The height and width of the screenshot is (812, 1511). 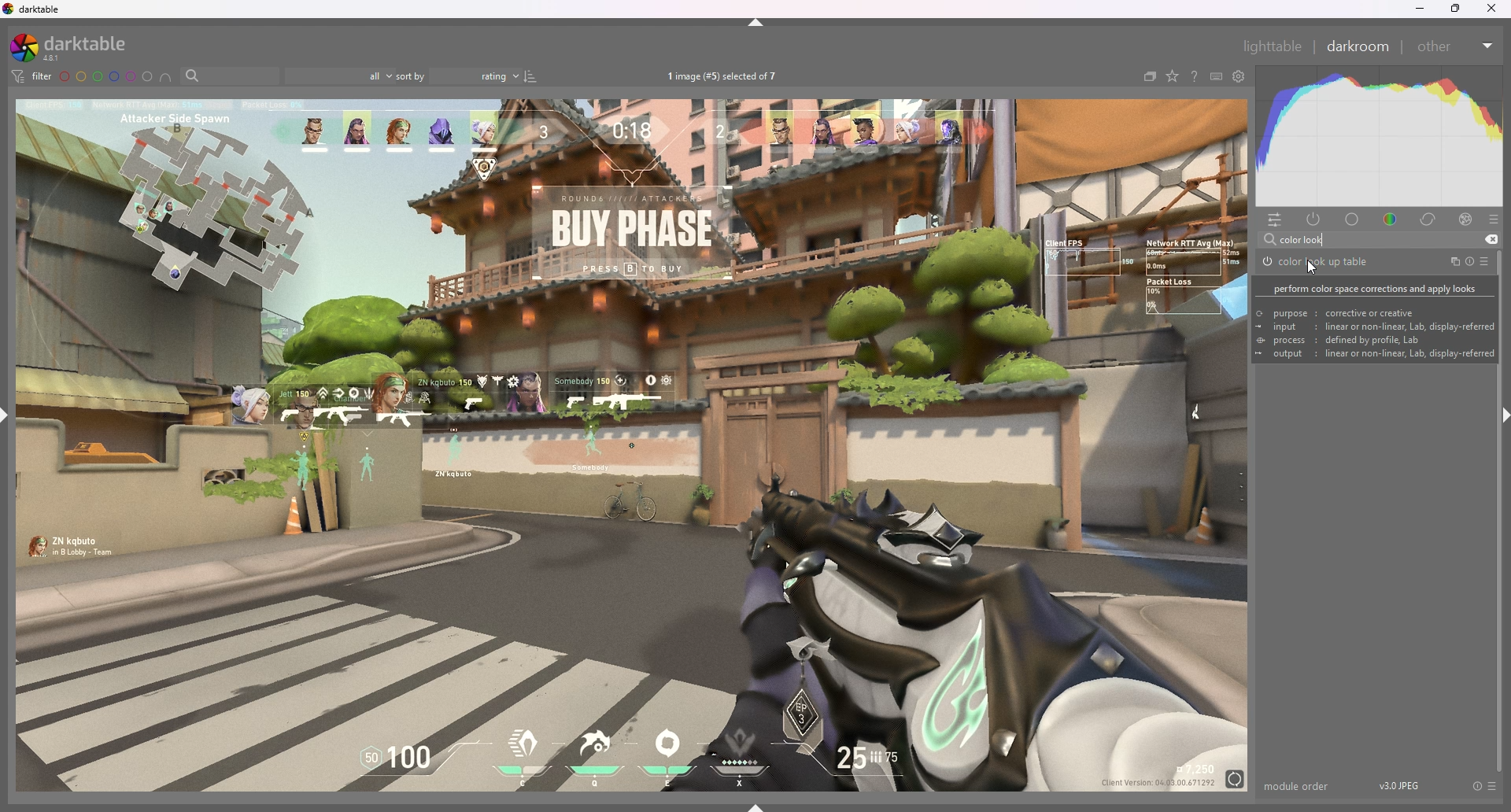 What do you see at coordinates (1491, 239) in the screenshot?
I see `remove` at bounding box center [1491, 239].